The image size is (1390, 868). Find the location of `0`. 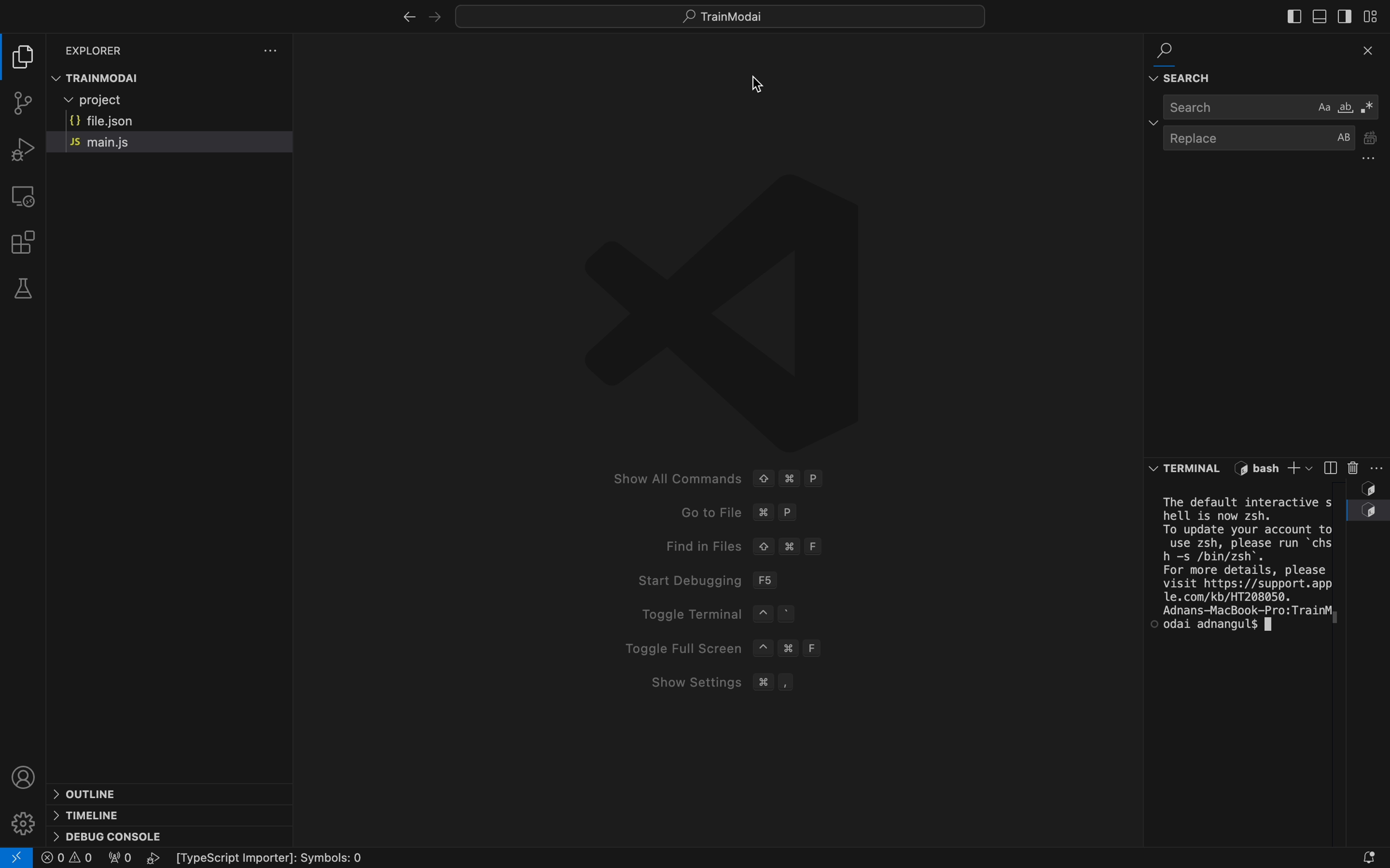

0 is located at coordinates (68, 858).